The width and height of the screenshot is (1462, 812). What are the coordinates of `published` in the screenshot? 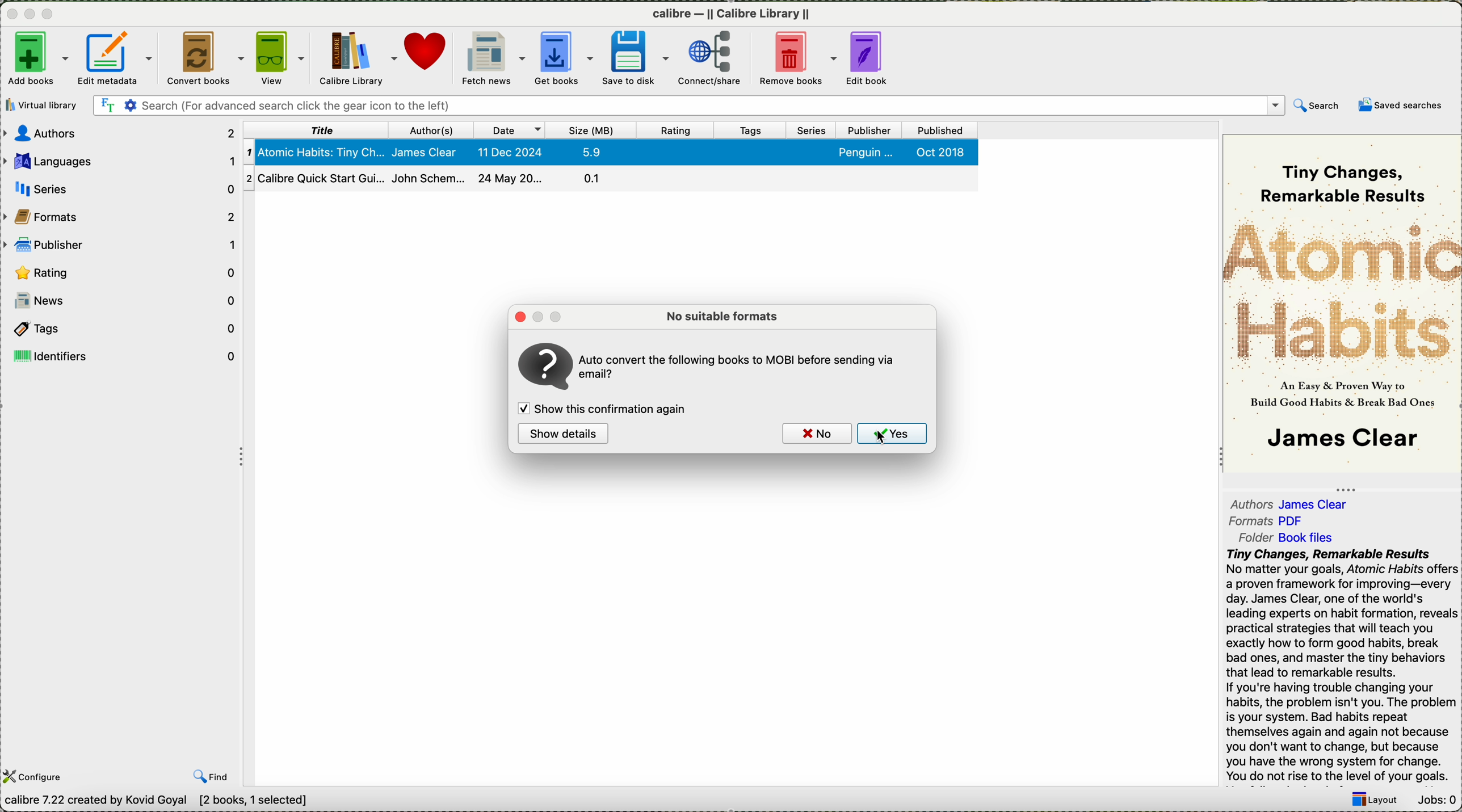 It's located at (941, 130).